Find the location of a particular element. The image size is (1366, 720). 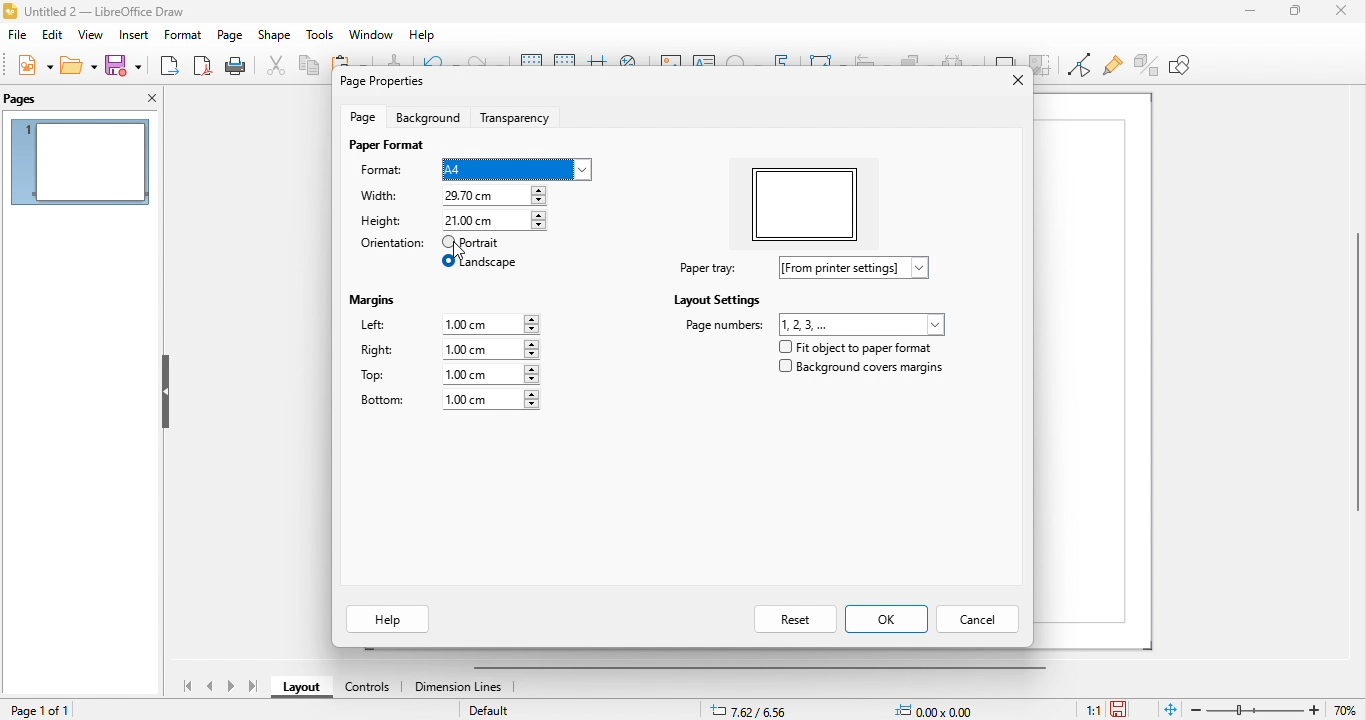

help is located at coordinates (388, 618).